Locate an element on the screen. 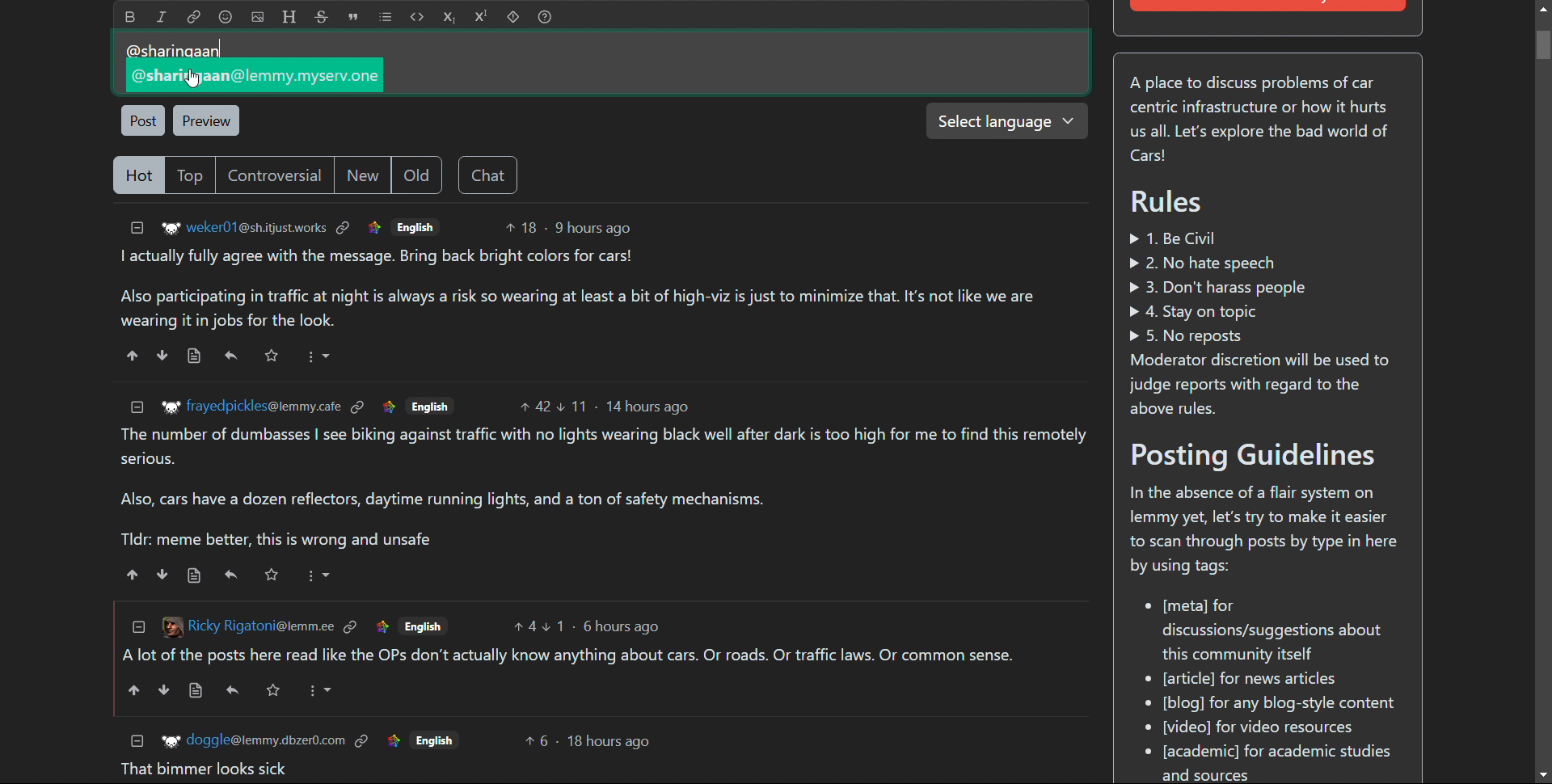 This screenshot has height=784, width=1552. top is located at coordinates (189, 175).